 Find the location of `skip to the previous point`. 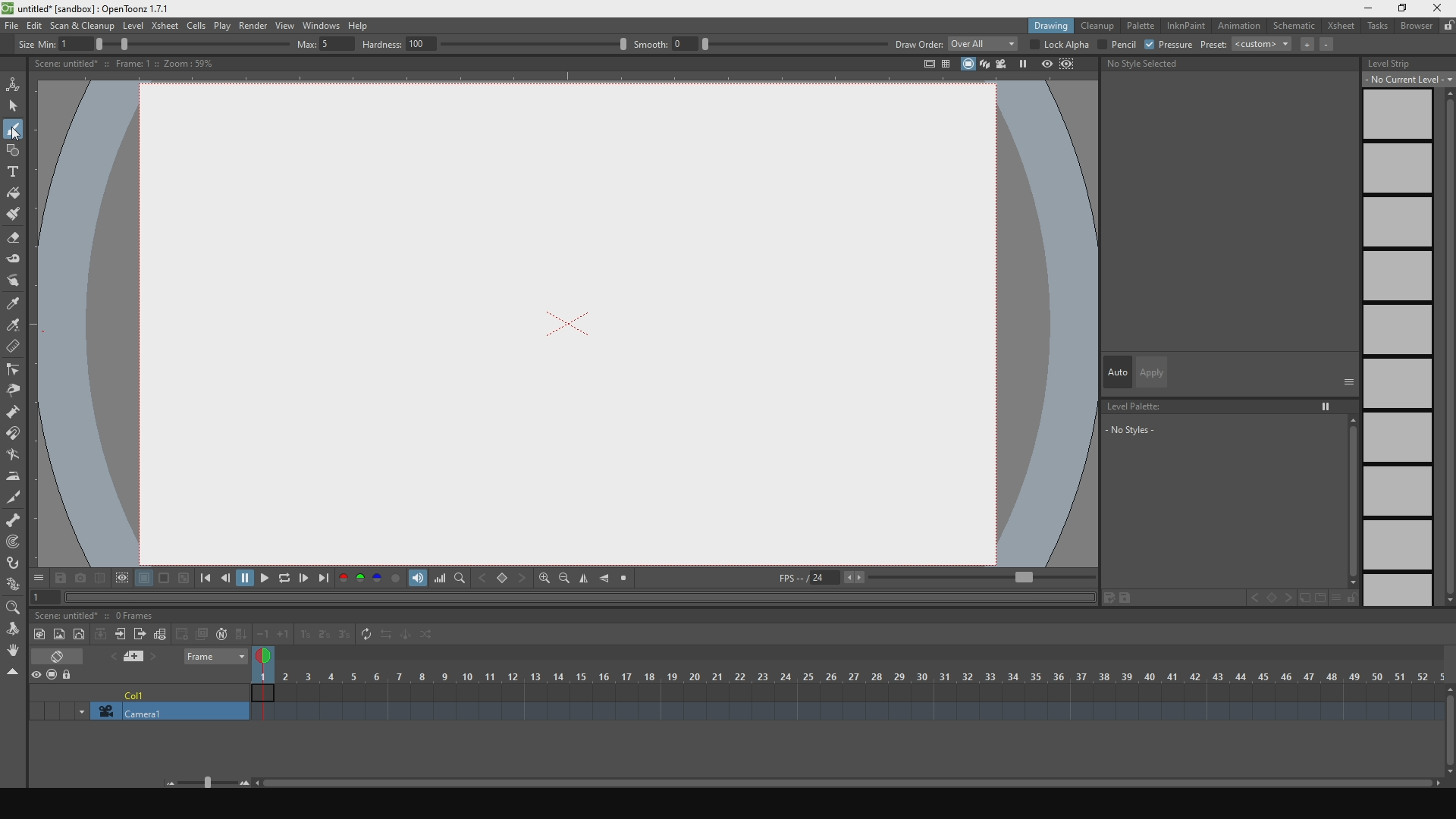

skip to the previous point is located at coordinates (203, 579).